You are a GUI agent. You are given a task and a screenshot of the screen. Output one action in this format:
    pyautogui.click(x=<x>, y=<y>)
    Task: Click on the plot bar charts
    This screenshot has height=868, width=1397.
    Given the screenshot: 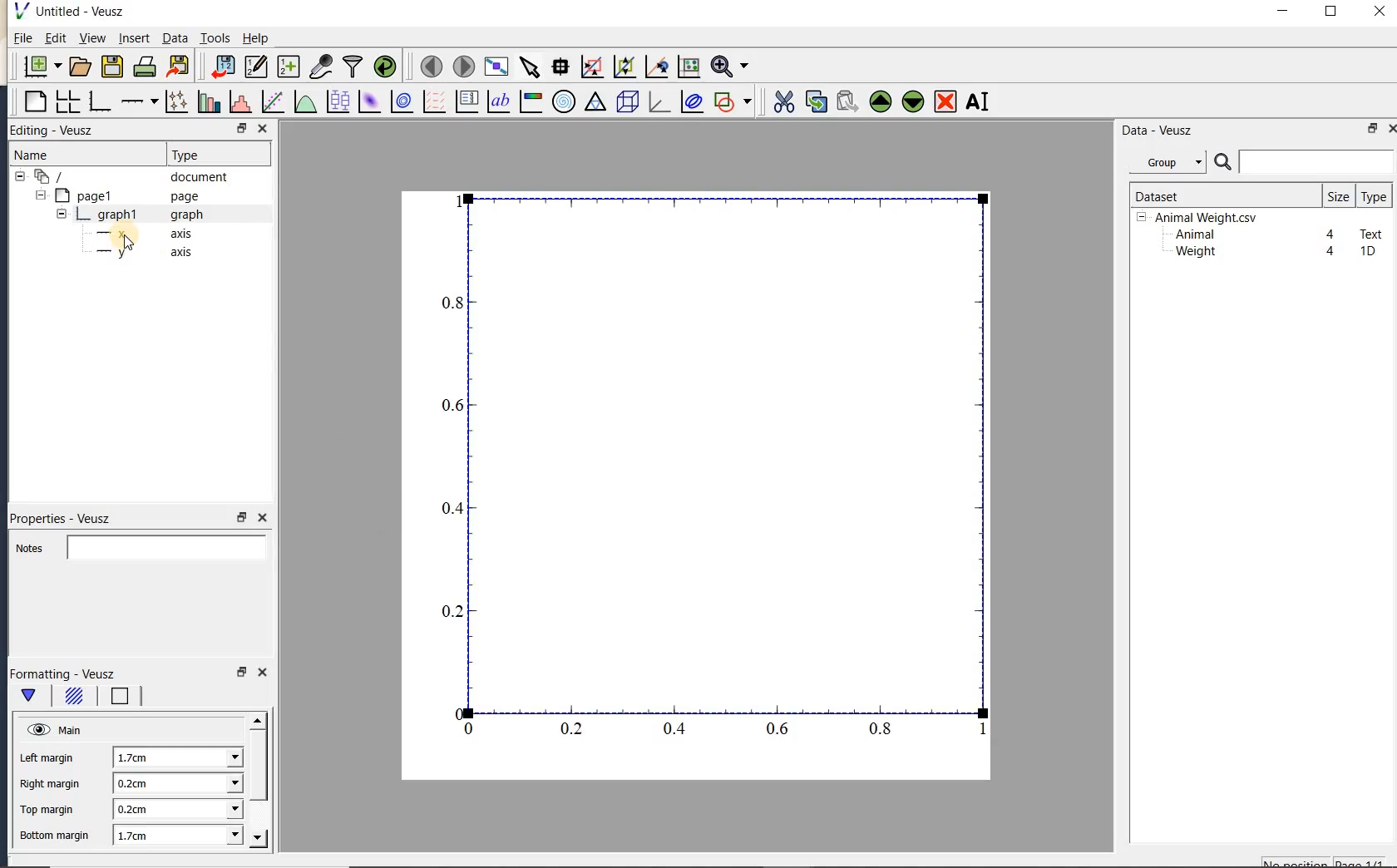 What is the action you would take?
    pyautogui.click(x=209, y=101)
    